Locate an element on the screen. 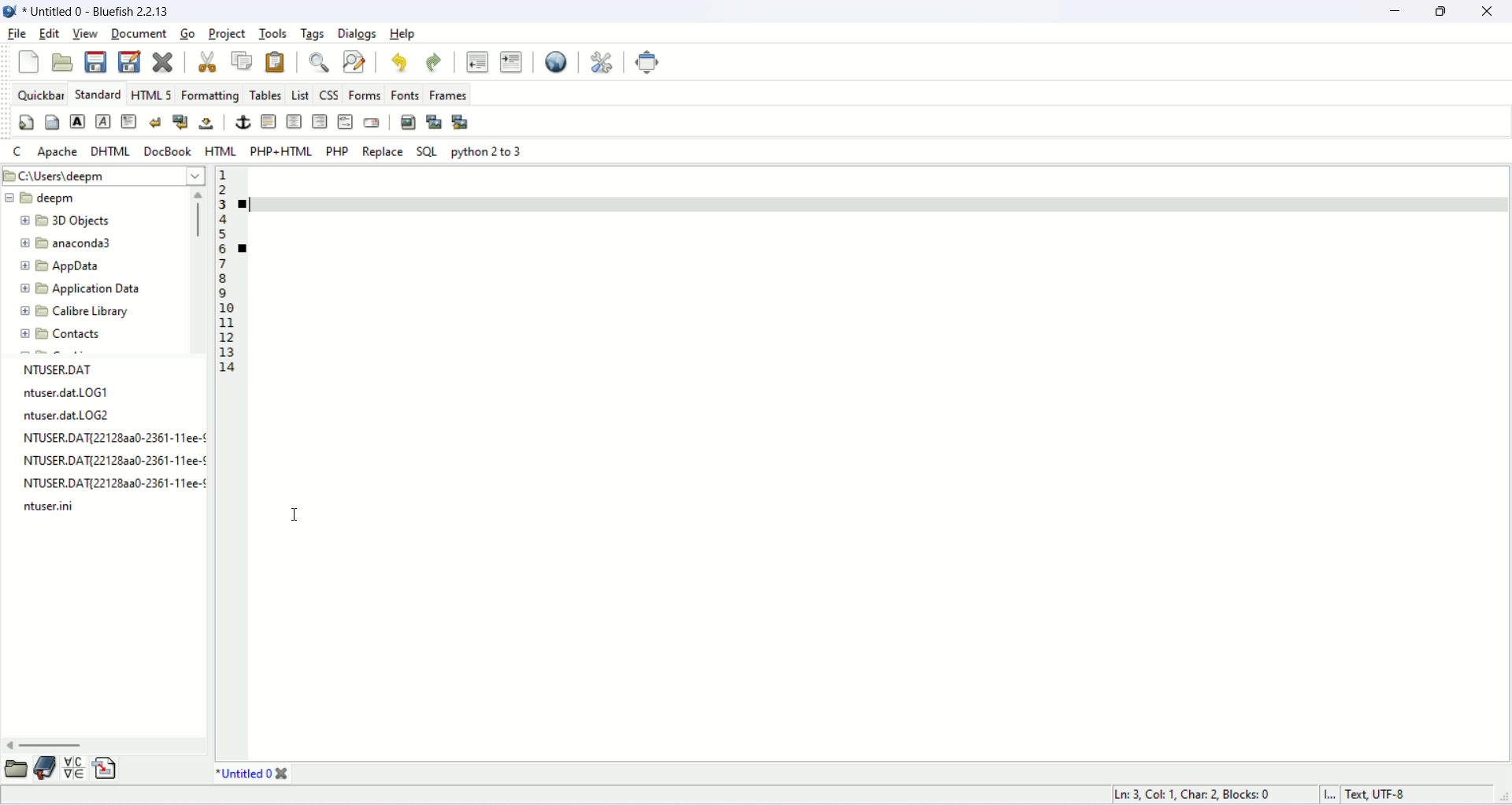  cursor position is located at coordinates (1199, 796).